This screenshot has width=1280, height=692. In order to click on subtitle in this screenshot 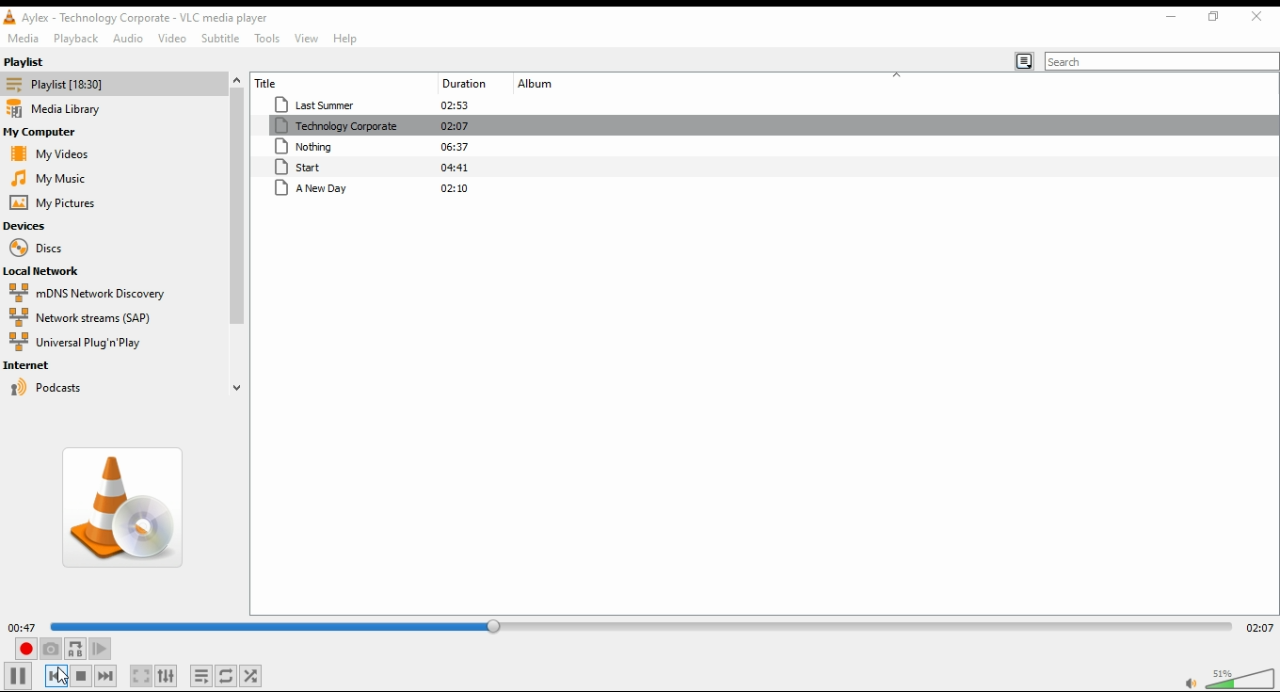, I will do `click(219, 37)`.